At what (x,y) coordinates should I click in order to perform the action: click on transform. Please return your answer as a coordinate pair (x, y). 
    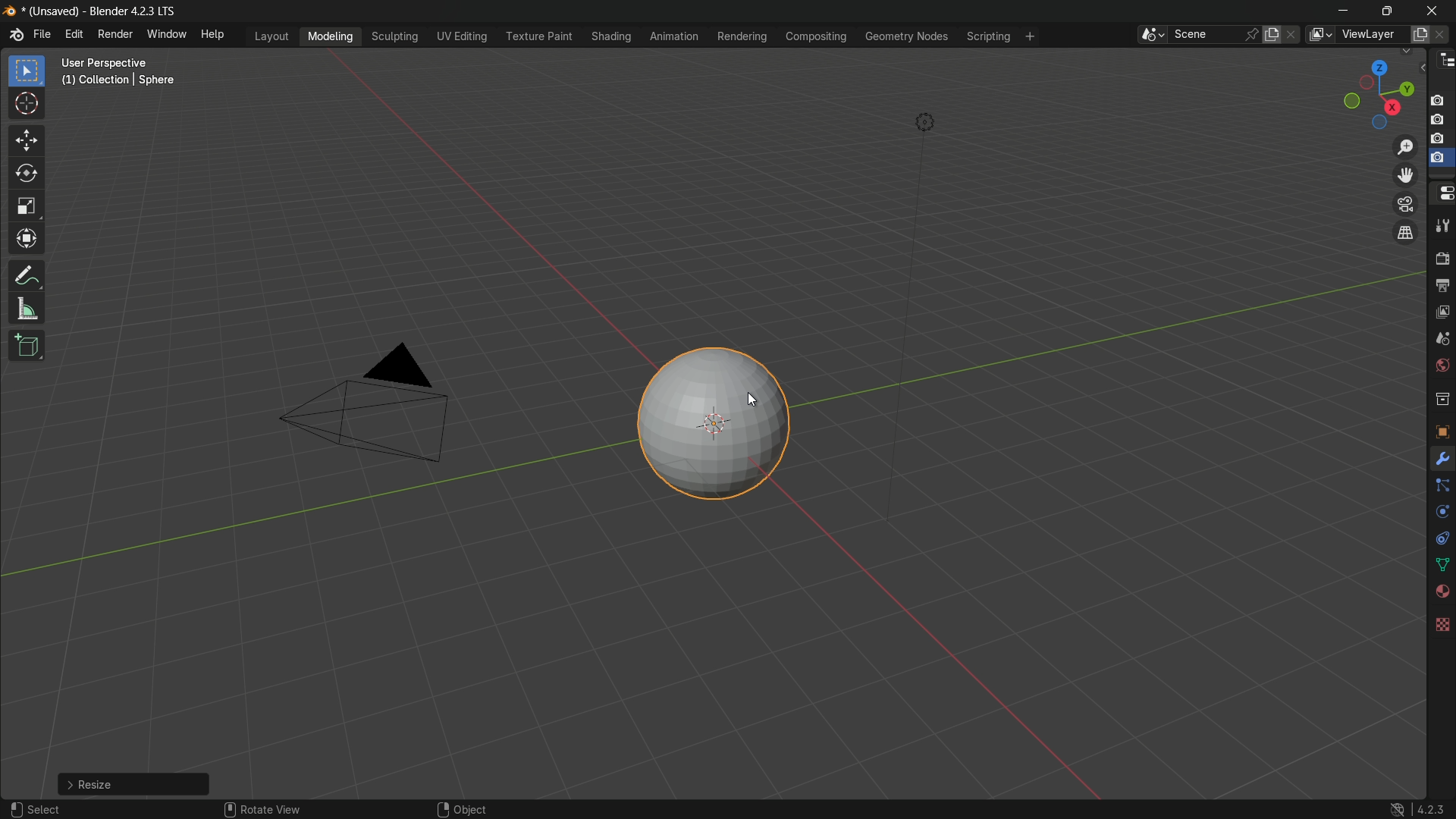
    Looking at the image, I should click on (27, 240).